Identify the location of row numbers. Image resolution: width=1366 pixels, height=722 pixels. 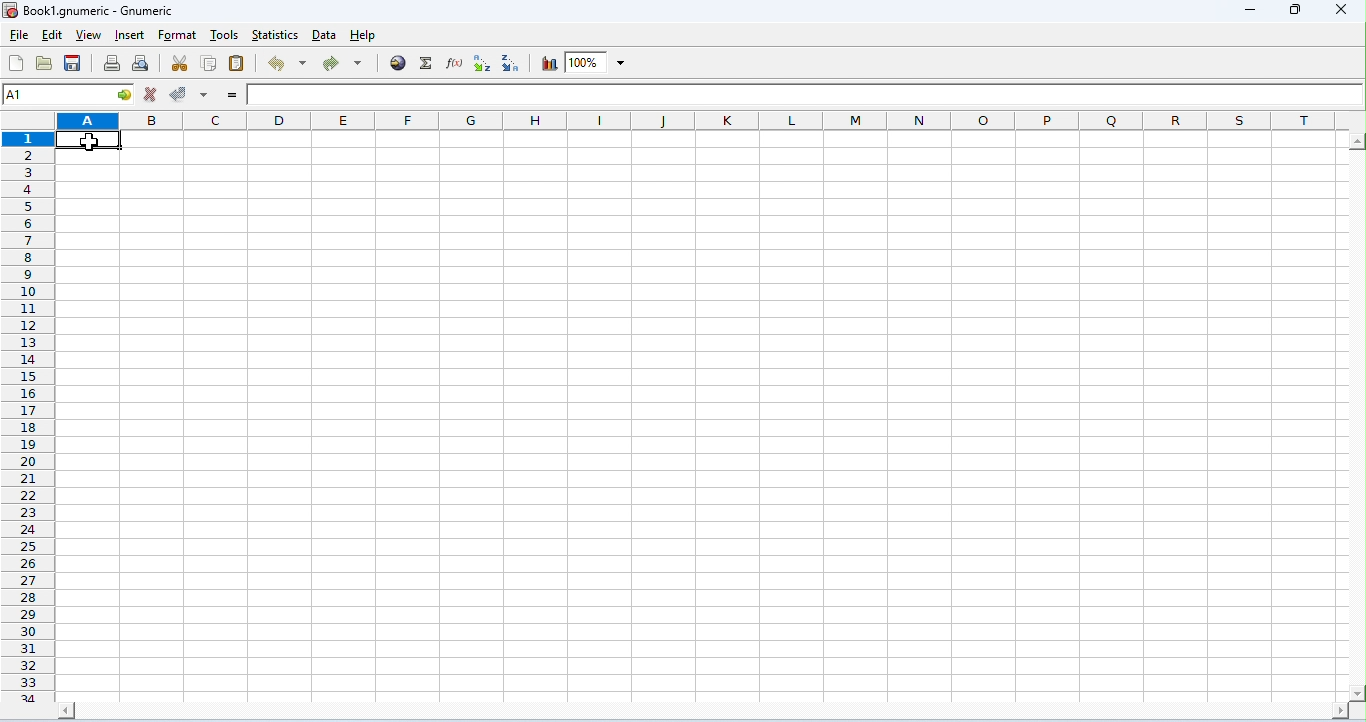
(27, 402).